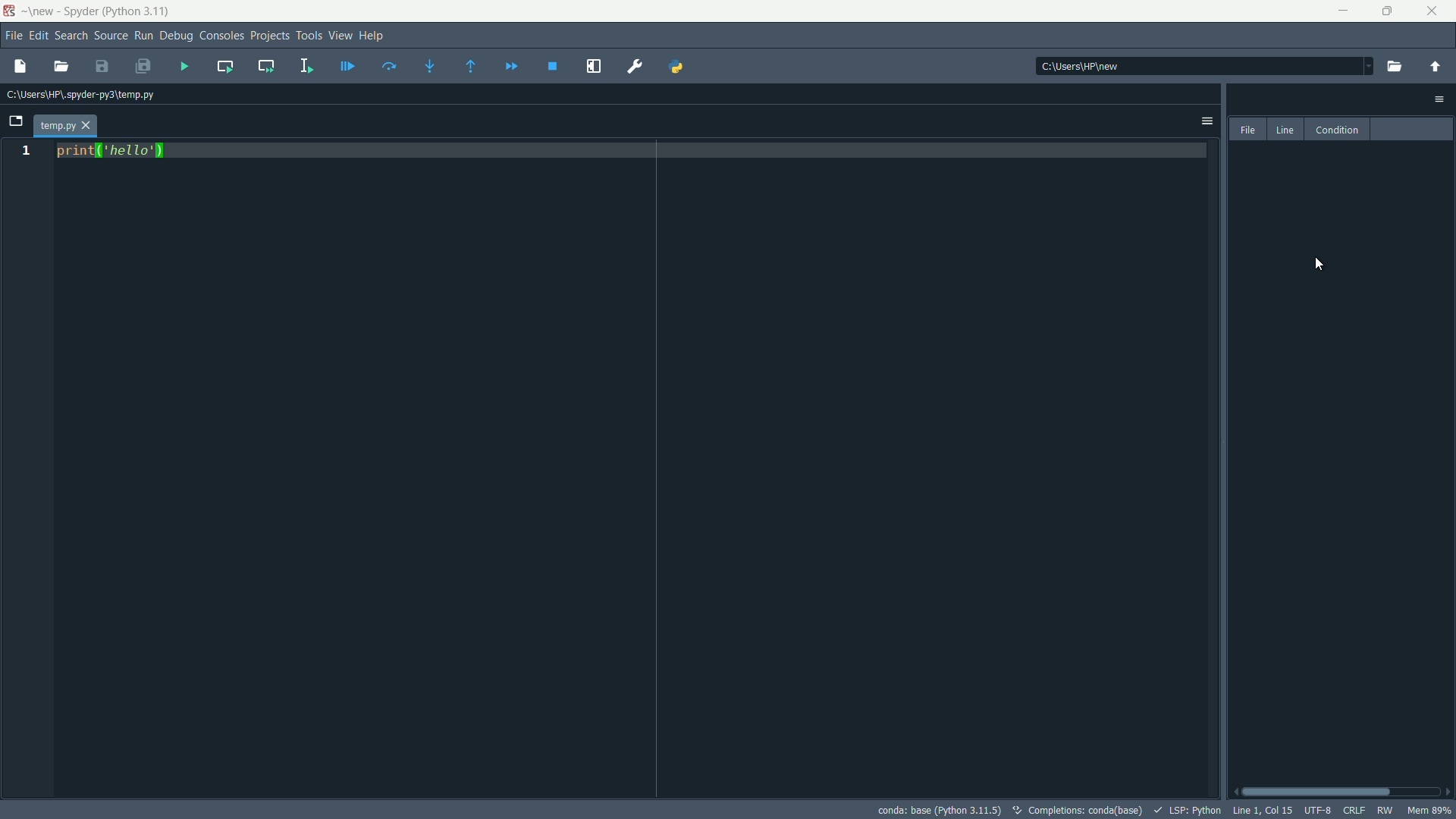 The height and width of the screenshot is (819, 1456). I want to click on maximize current pane, so click(594, 67).